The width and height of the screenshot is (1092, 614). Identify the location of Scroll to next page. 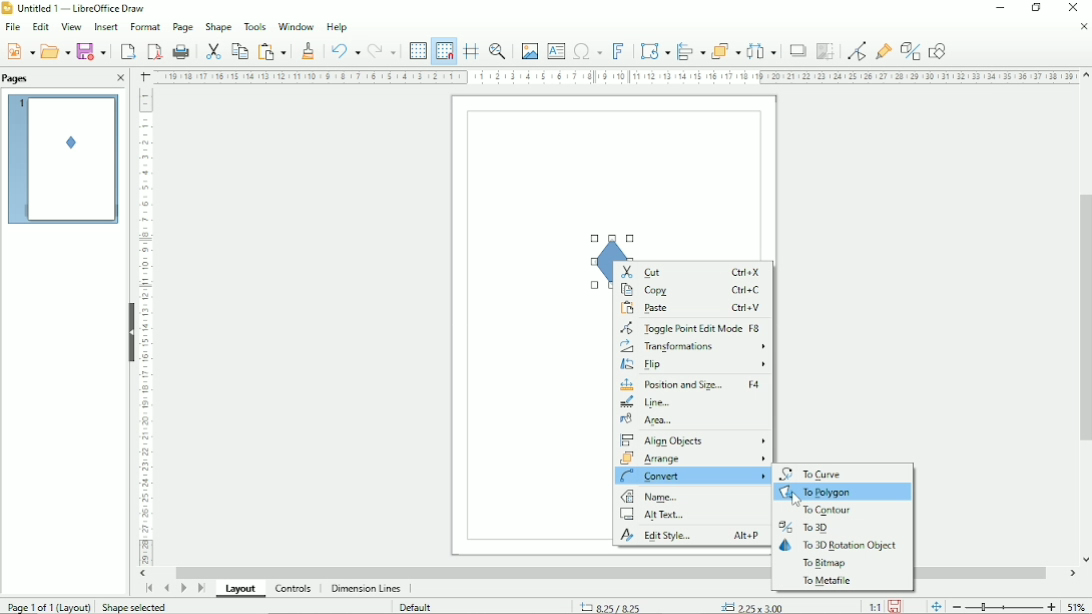
(184, 589).